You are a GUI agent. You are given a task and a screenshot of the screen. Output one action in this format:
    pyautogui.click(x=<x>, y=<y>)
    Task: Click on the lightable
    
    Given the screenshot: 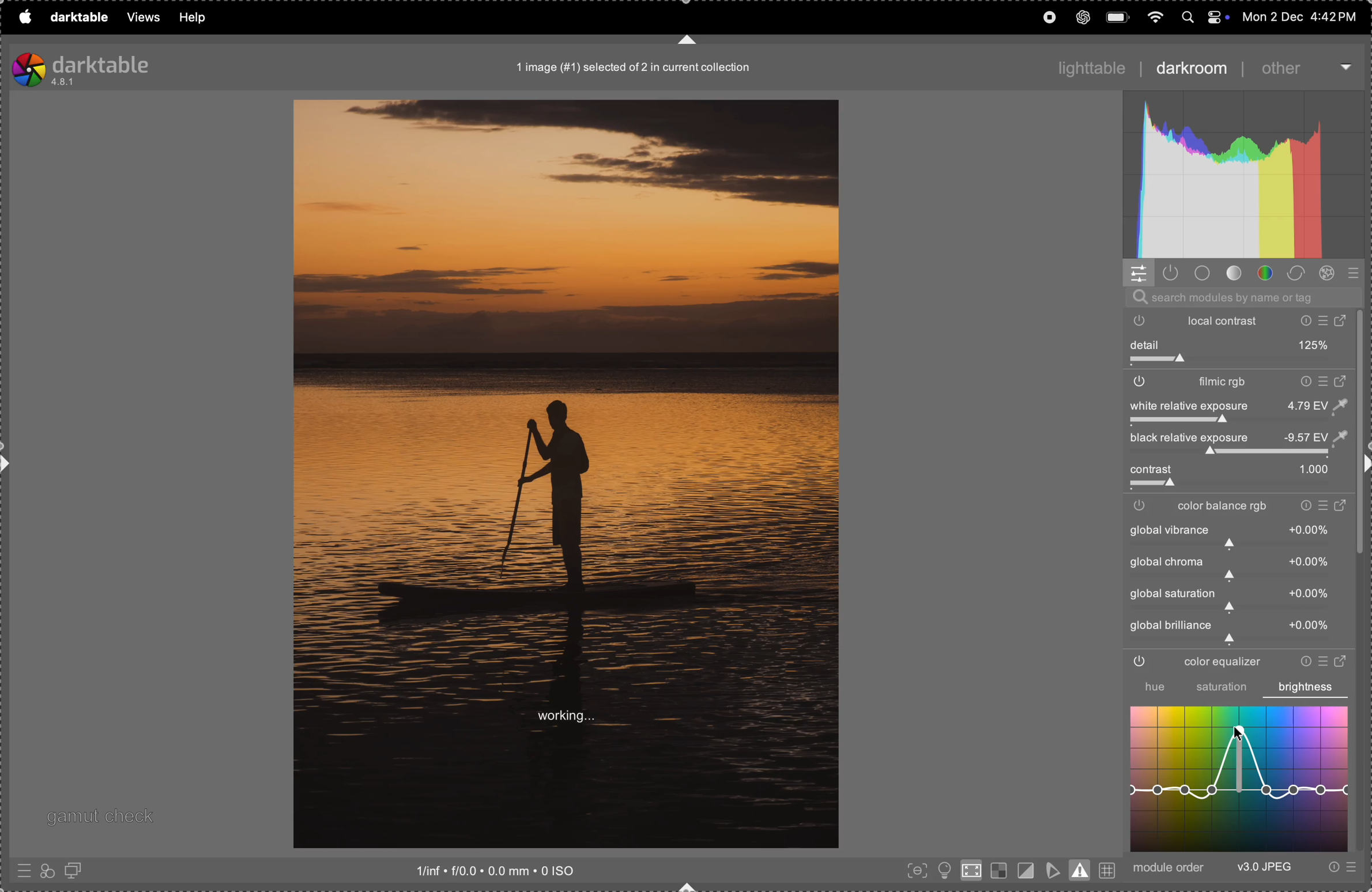 What is the action you would take?
    pyautogui.click(x=1085, y=64)
    